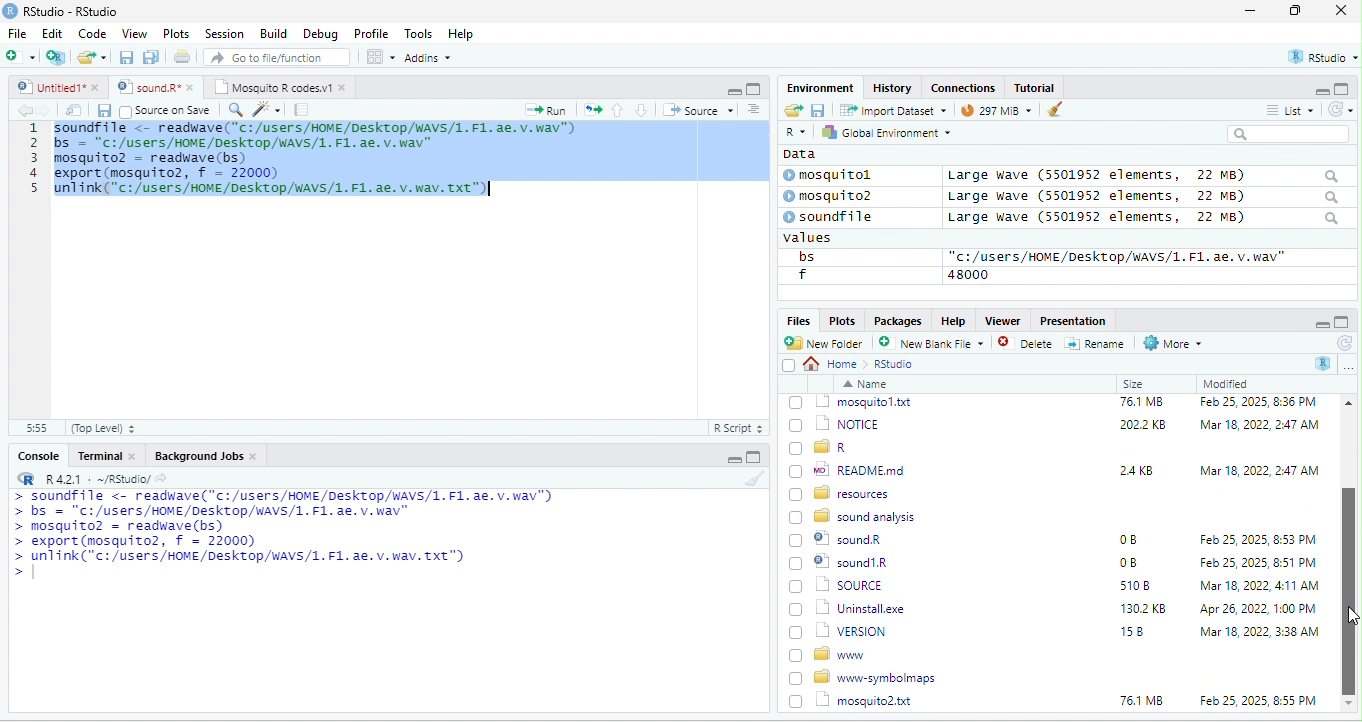 The height and width of the screenshot is (722, 1362). I want to click on refresh, so click(1343, 343).